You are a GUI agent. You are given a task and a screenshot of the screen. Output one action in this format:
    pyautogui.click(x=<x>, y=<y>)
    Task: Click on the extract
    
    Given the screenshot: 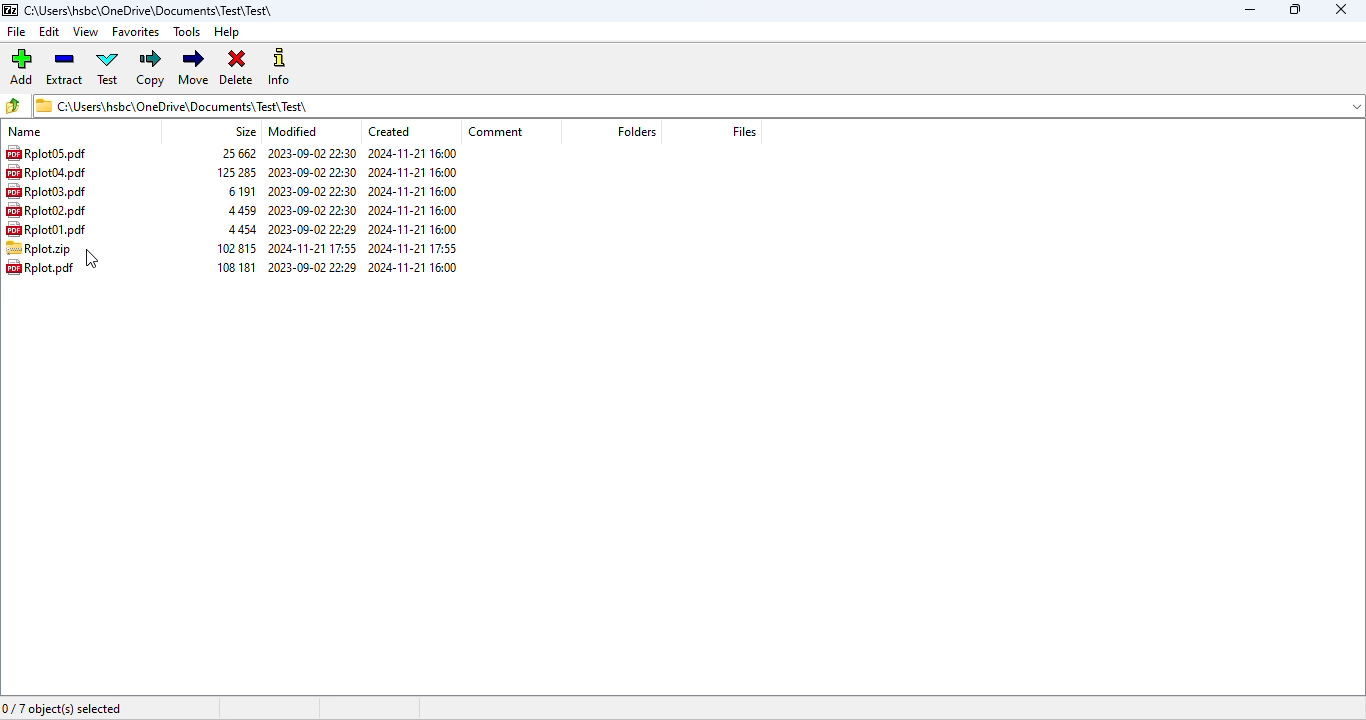 What is the action you would take?
    pyautogui.click(x=65, y=67)
    